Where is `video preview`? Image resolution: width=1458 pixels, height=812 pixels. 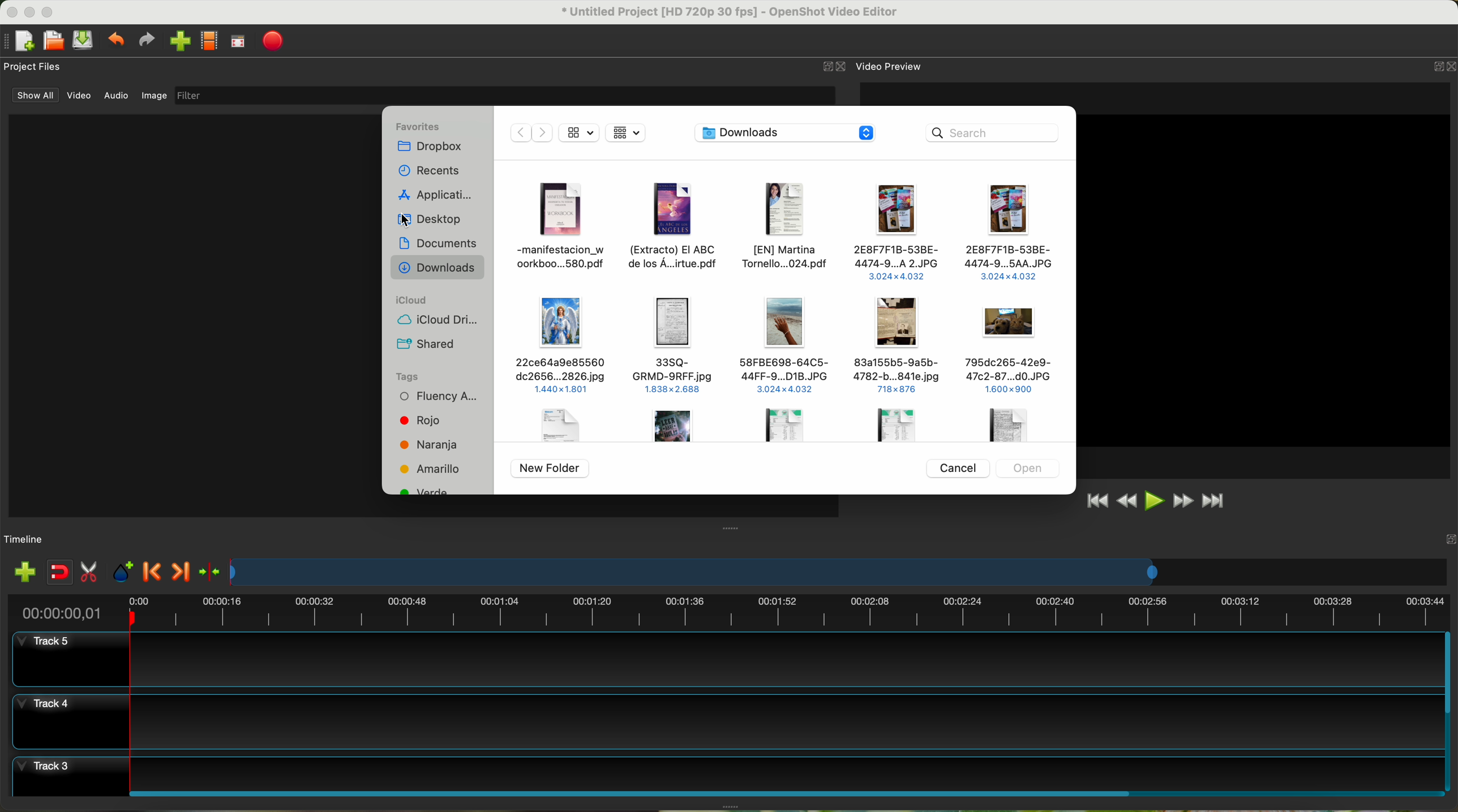
video preview is located at coordinates (891, 66).